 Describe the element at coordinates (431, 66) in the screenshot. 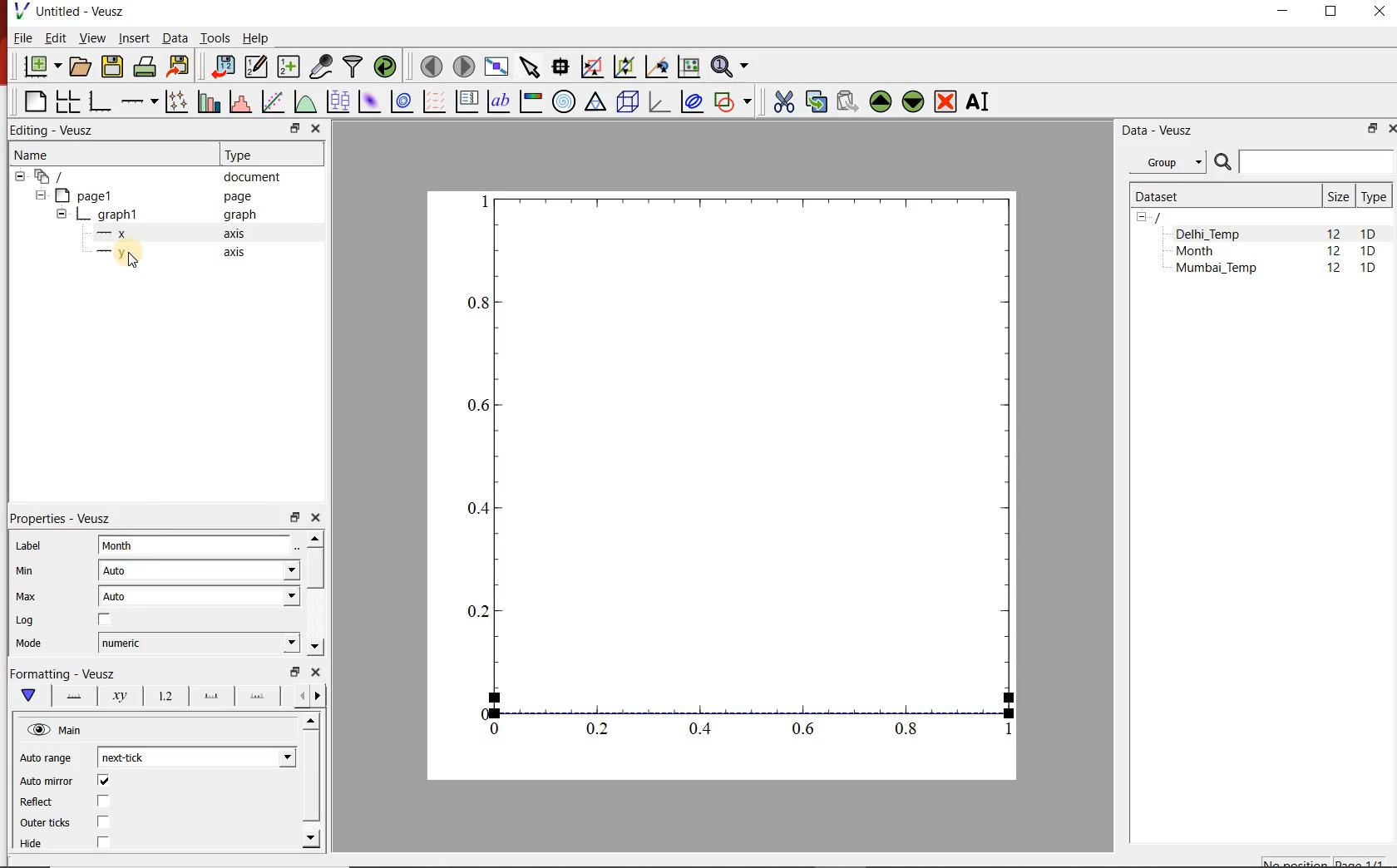

I see `move to the previous page` at that location.